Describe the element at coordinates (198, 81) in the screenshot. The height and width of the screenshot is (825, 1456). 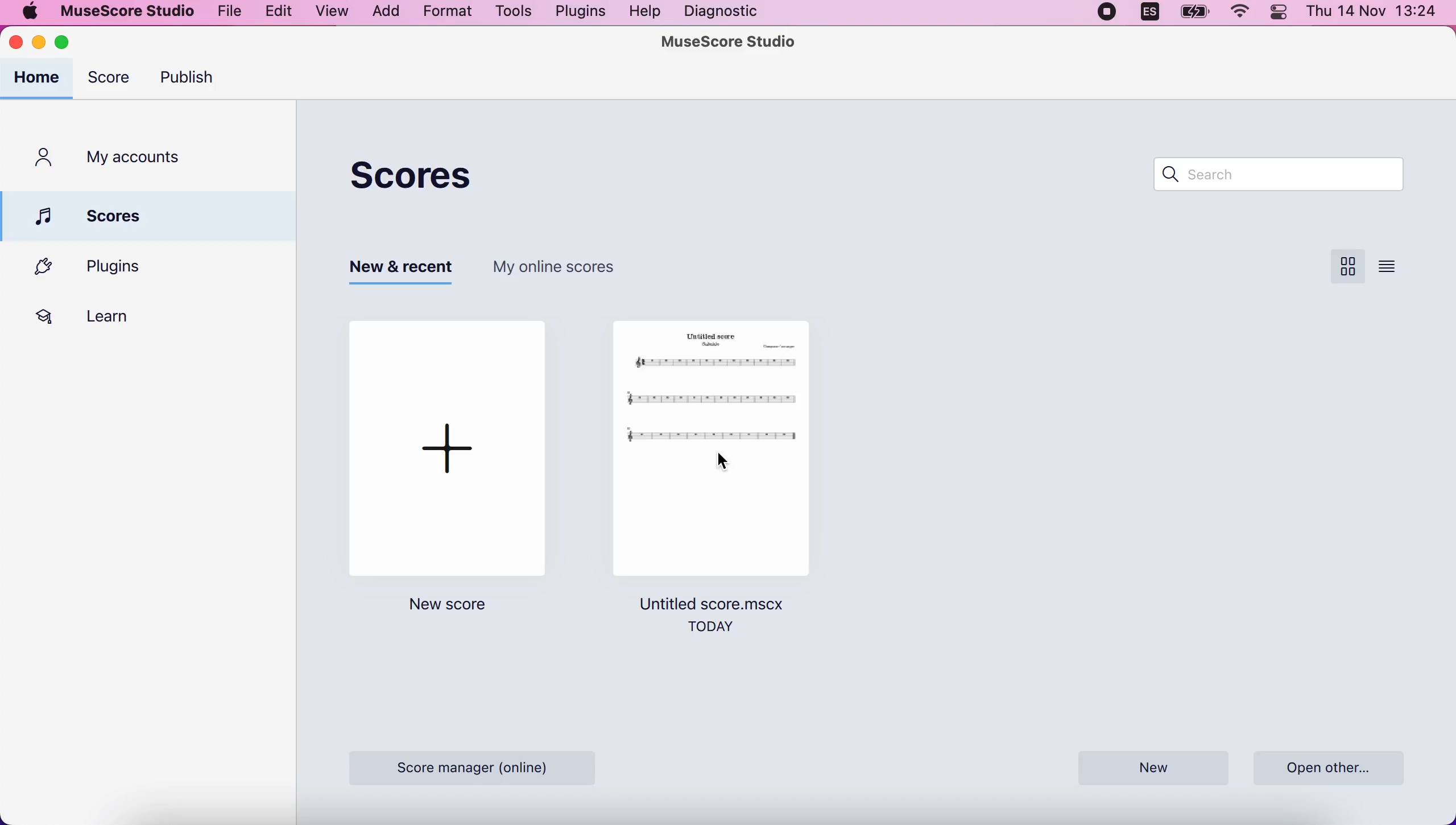
I see `publish` at that location.